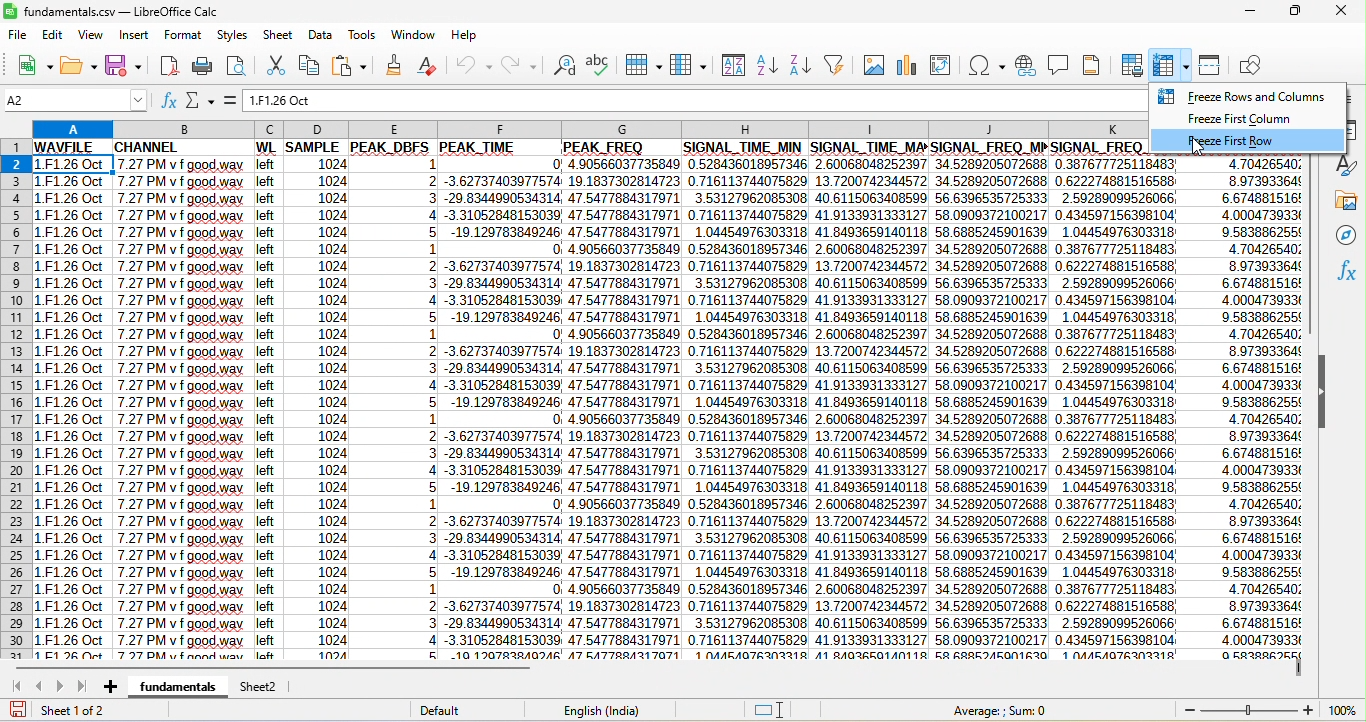 The image size is (1366, 722). Describe the element at coordinates (473, 68) in the screenshot. I see `undo` at that location.